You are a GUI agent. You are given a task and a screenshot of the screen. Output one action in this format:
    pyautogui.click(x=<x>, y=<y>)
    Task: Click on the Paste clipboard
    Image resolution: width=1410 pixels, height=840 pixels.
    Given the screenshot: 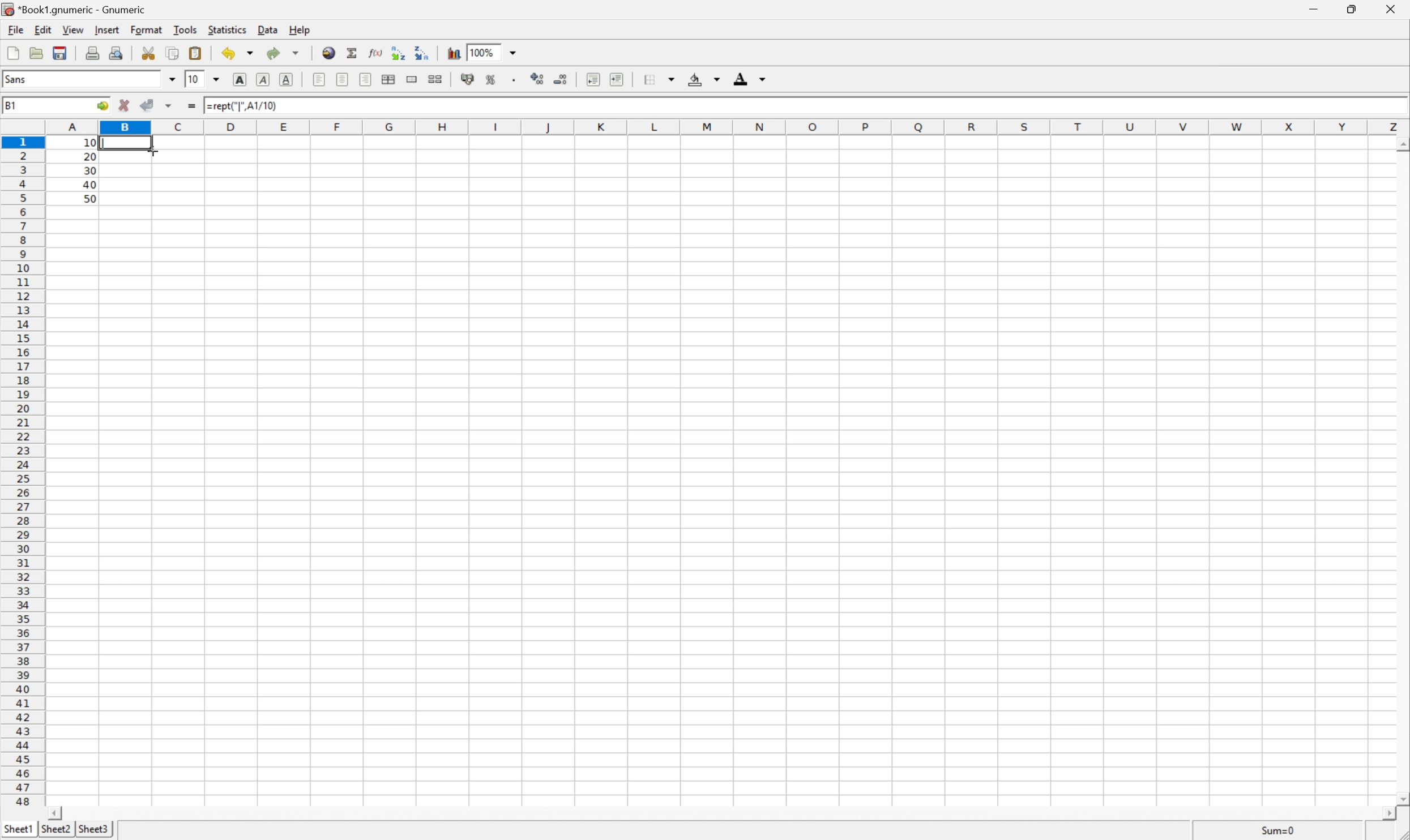 What is the action you would take?
    pyautogui.click(x=195, y=53)
    